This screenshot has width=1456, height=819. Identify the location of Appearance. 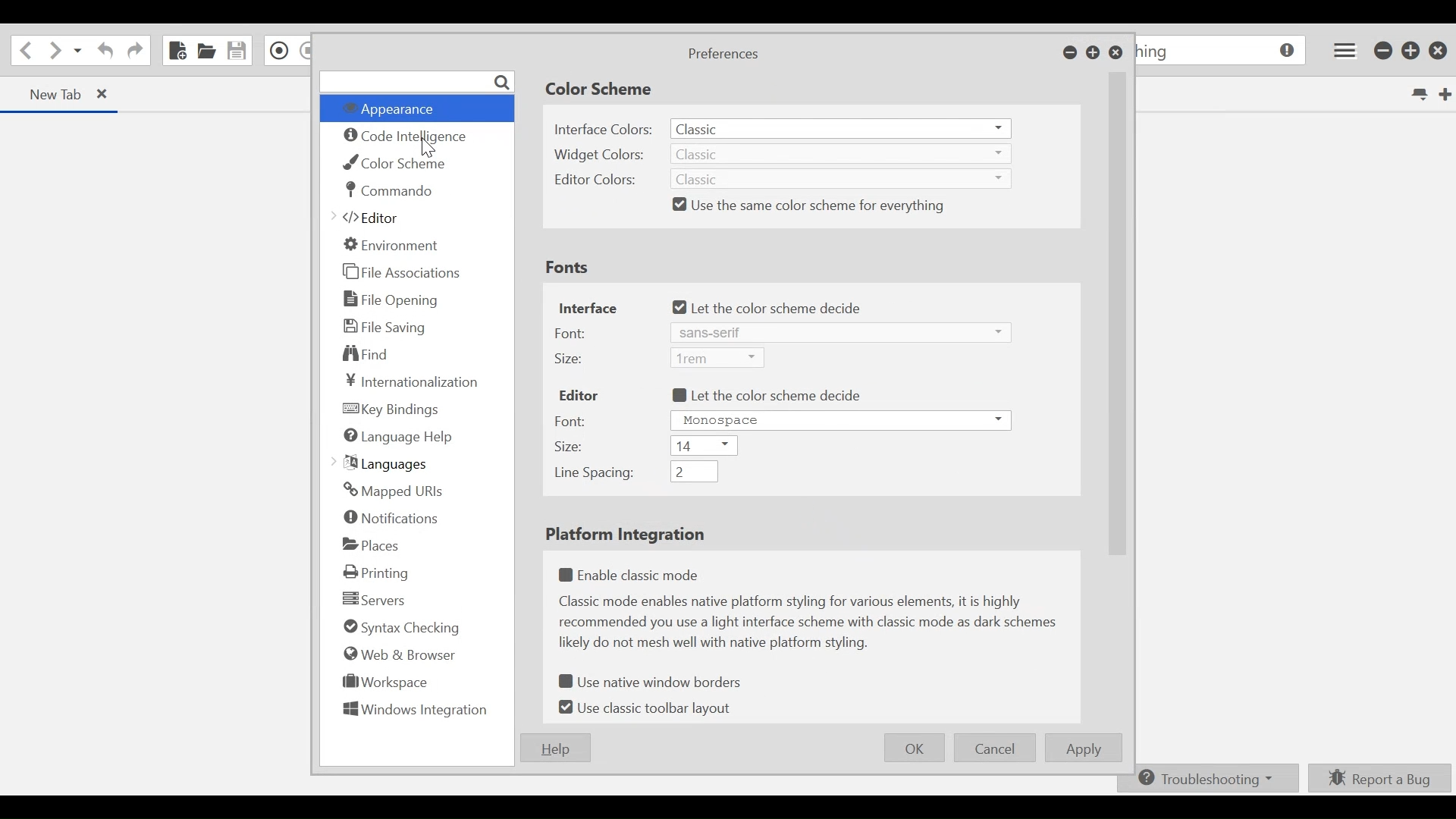
(413, 109).